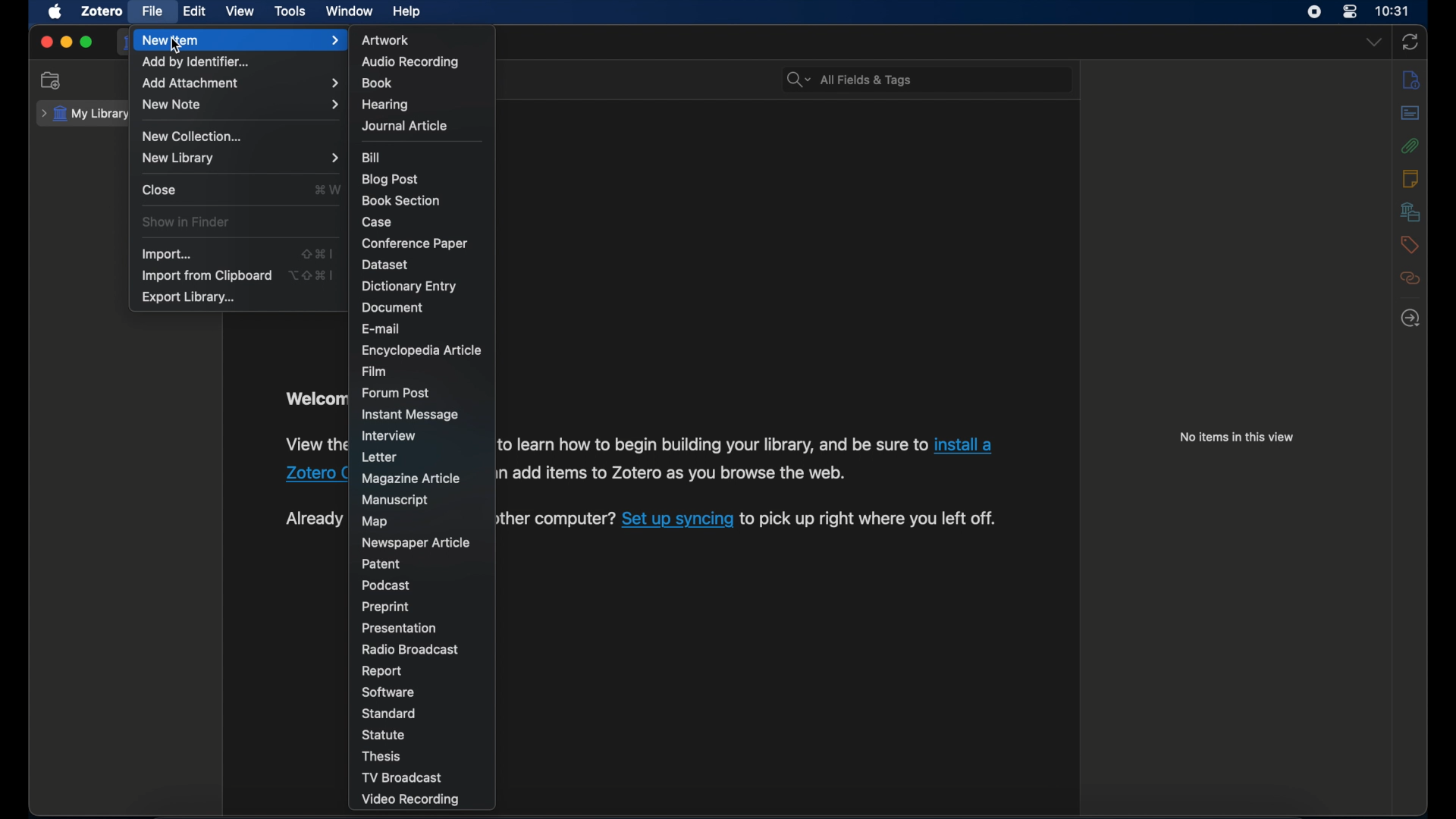  I want to click on forum post, so click(395, 392).